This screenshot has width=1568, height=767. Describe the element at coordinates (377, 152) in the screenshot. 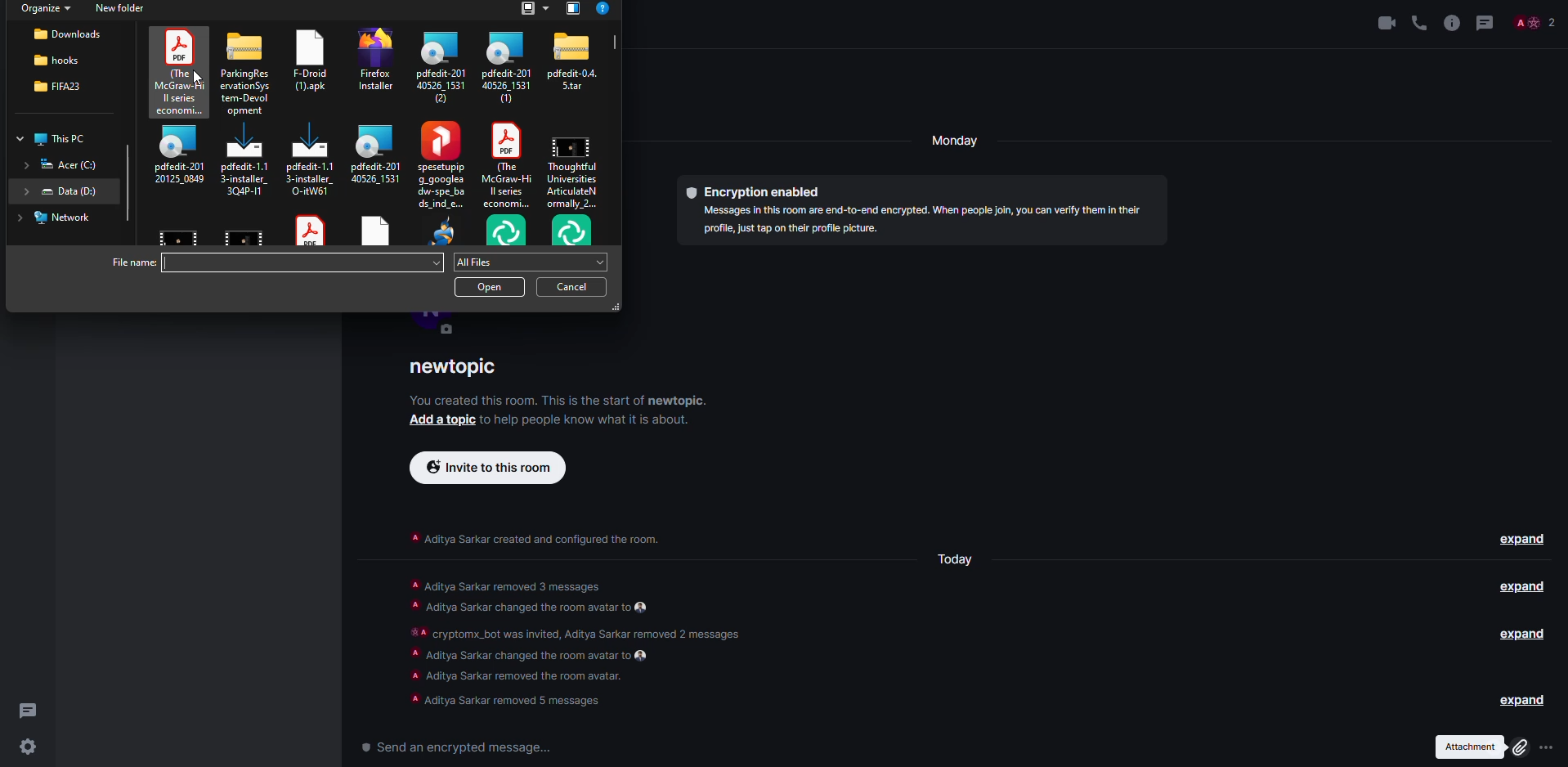

I see `file` at that location.